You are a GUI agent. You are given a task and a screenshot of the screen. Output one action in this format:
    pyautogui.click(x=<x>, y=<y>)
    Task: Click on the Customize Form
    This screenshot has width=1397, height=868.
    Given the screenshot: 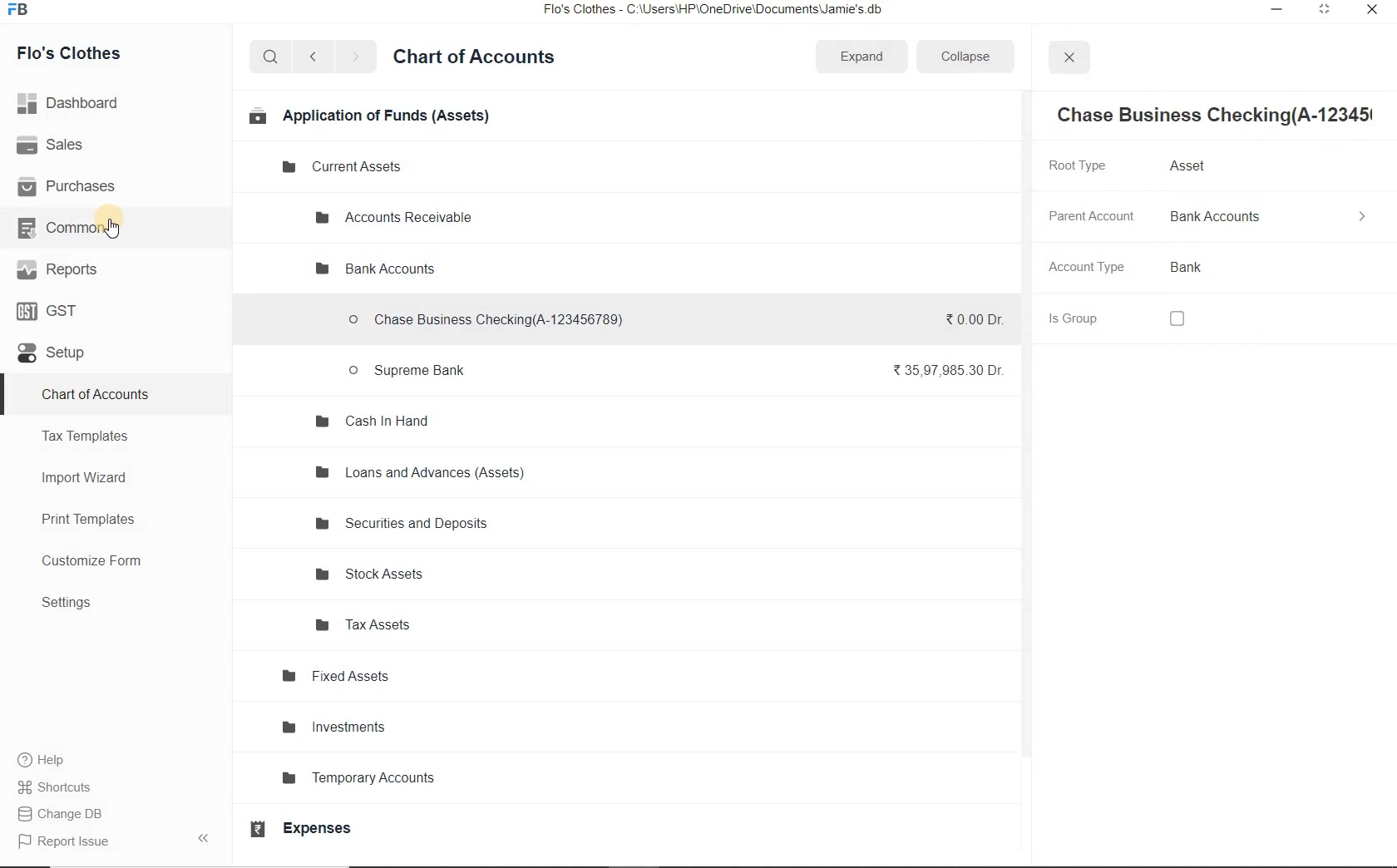 What is the action you would take?
    pyautogui.click(x=99, y=562)
    